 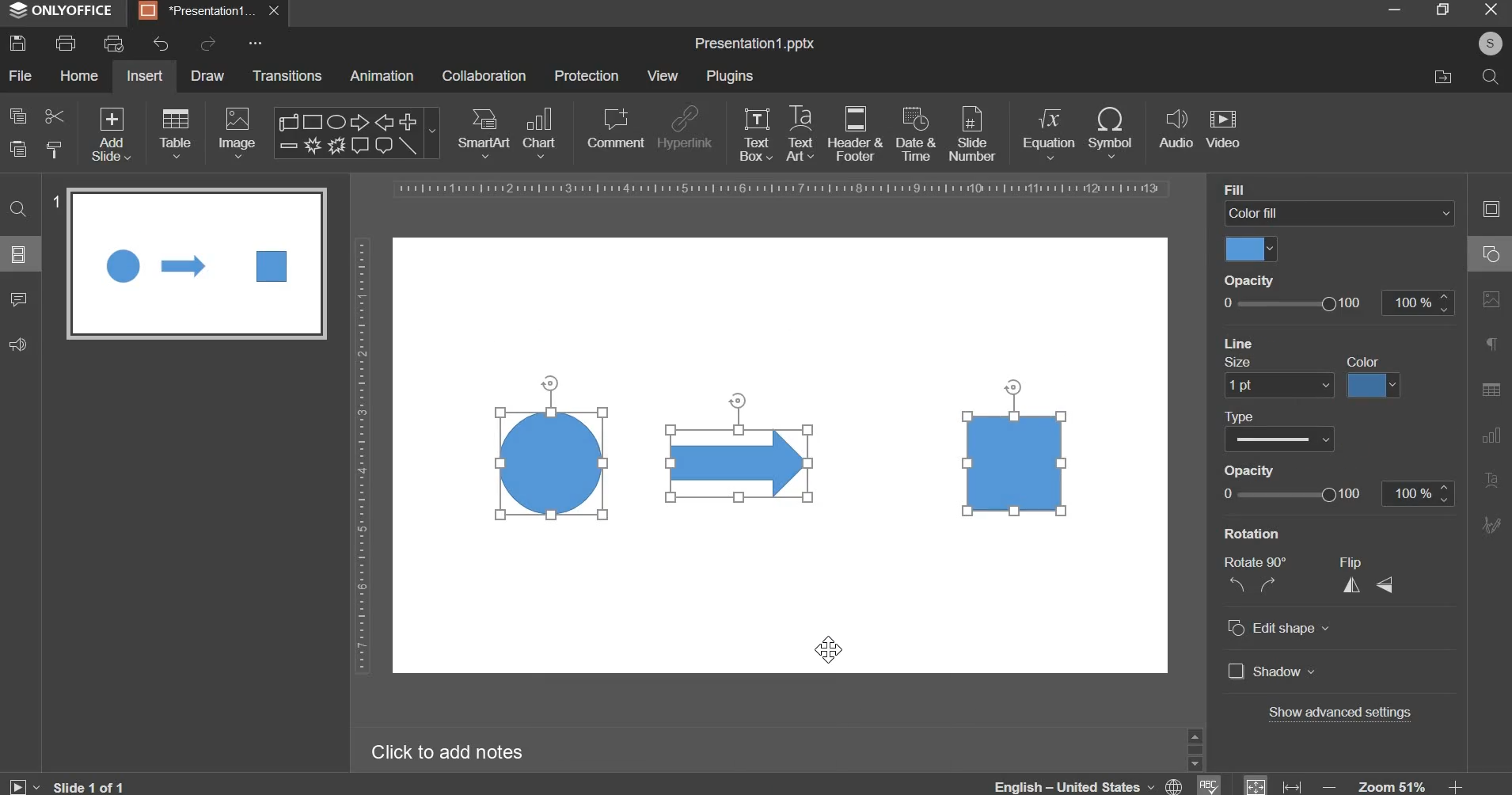 What do you see at coordinates (1393, 785) in the screenshot?
I see `zoom` at bounding box center [1393, 785].